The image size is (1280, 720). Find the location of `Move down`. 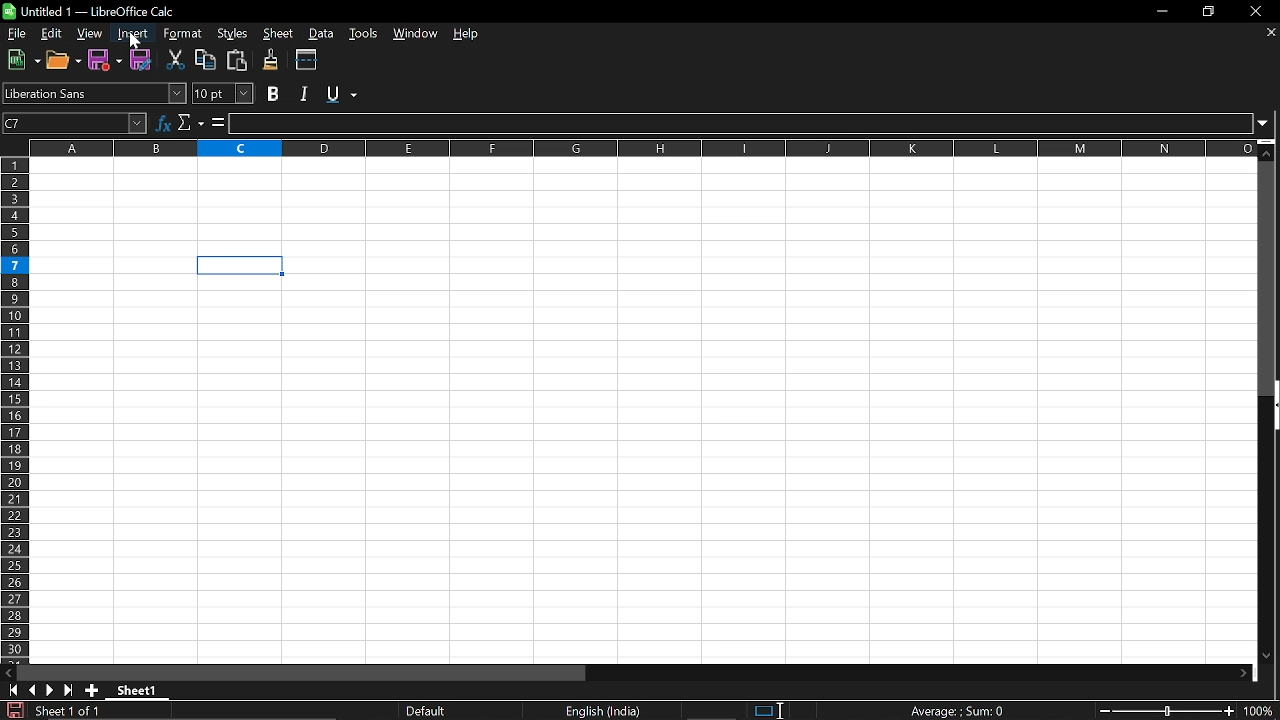

Move down is located at coordinates (1266, 657).